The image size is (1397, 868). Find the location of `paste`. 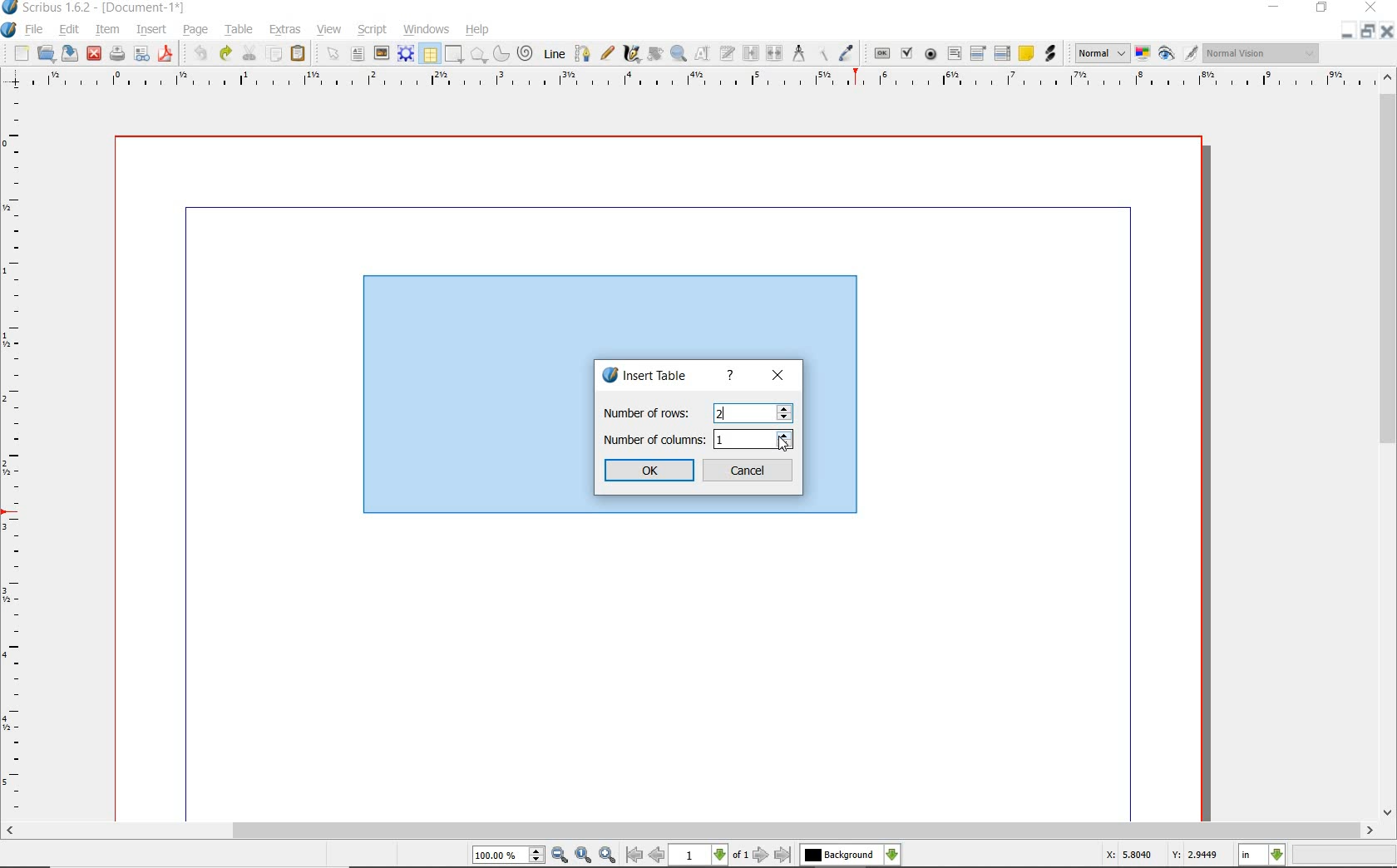

paste is located at coordinates (298, 53).